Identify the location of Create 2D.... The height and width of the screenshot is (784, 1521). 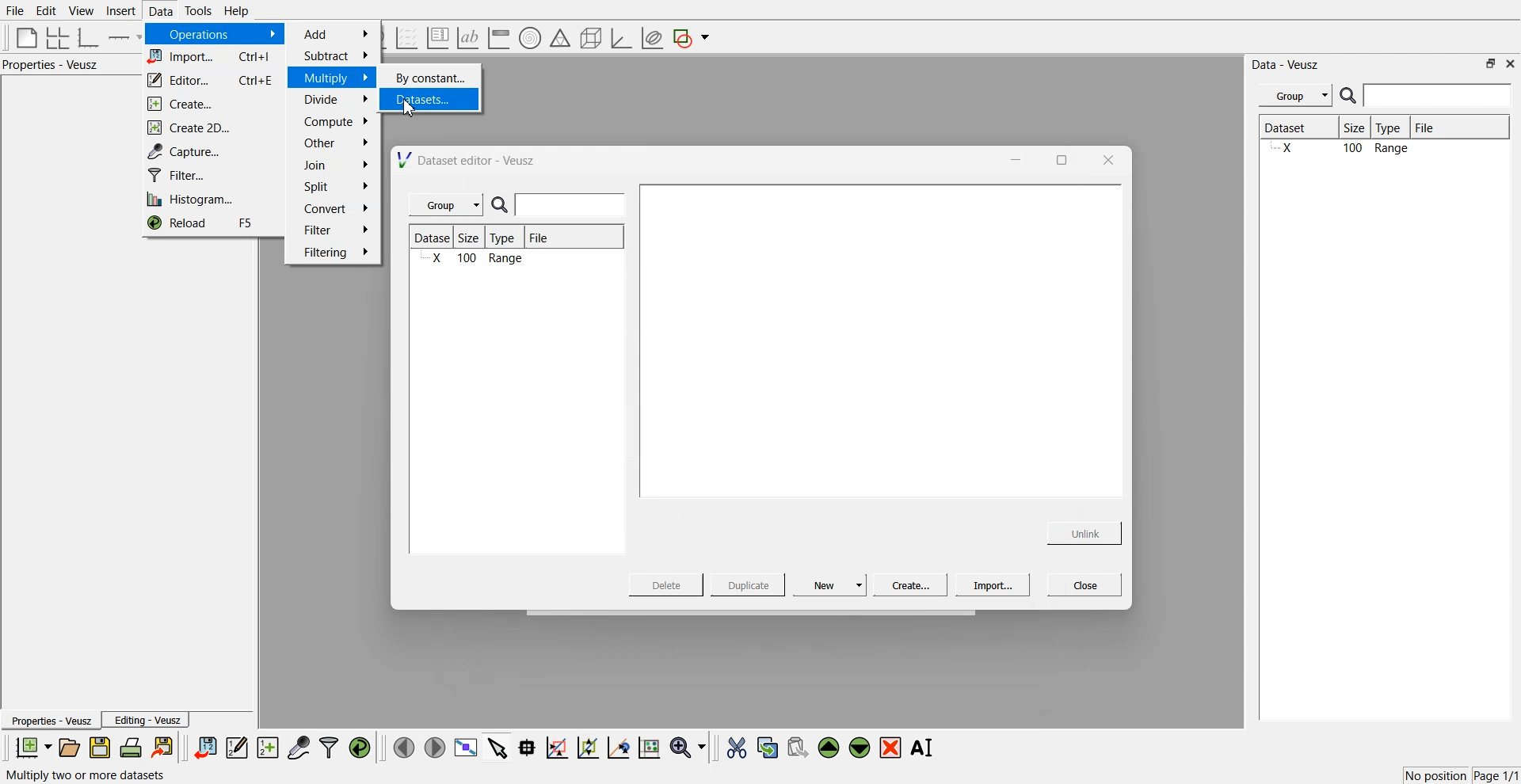
(212, 127).